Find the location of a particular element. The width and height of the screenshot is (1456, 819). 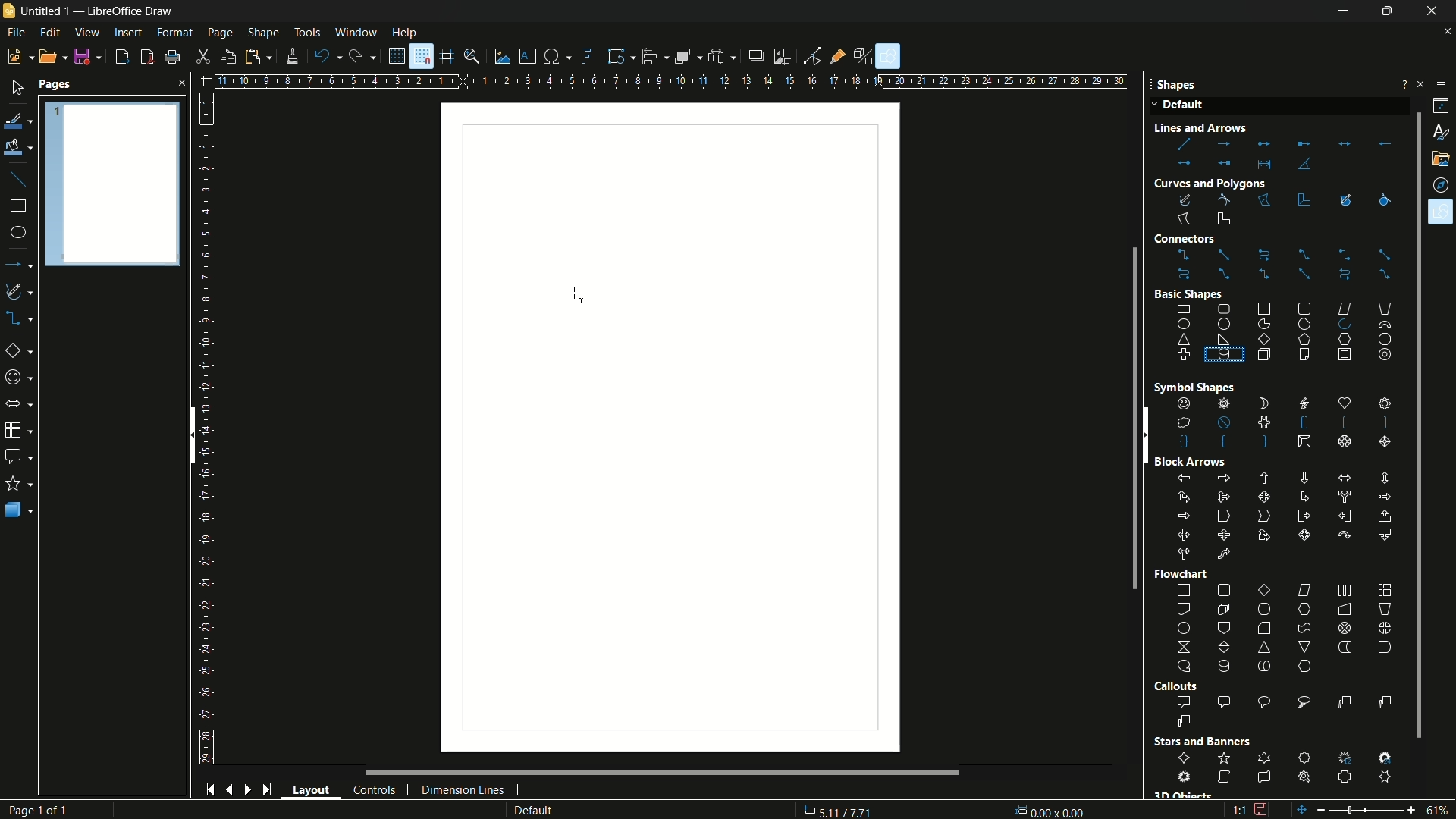

zoom factor is located at coordinates (1441, 810).